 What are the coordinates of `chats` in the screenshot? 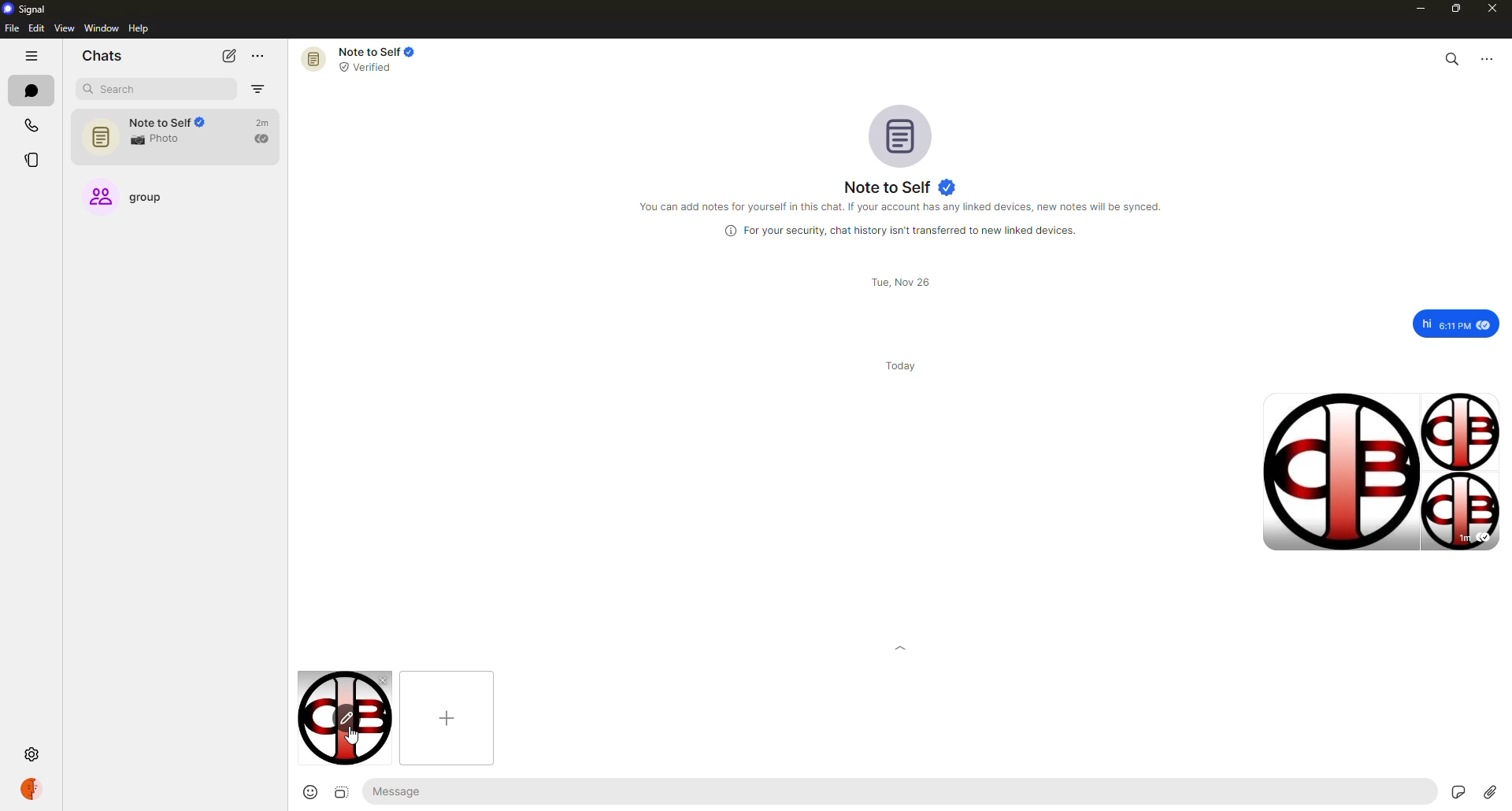 It's located at (102, 56).